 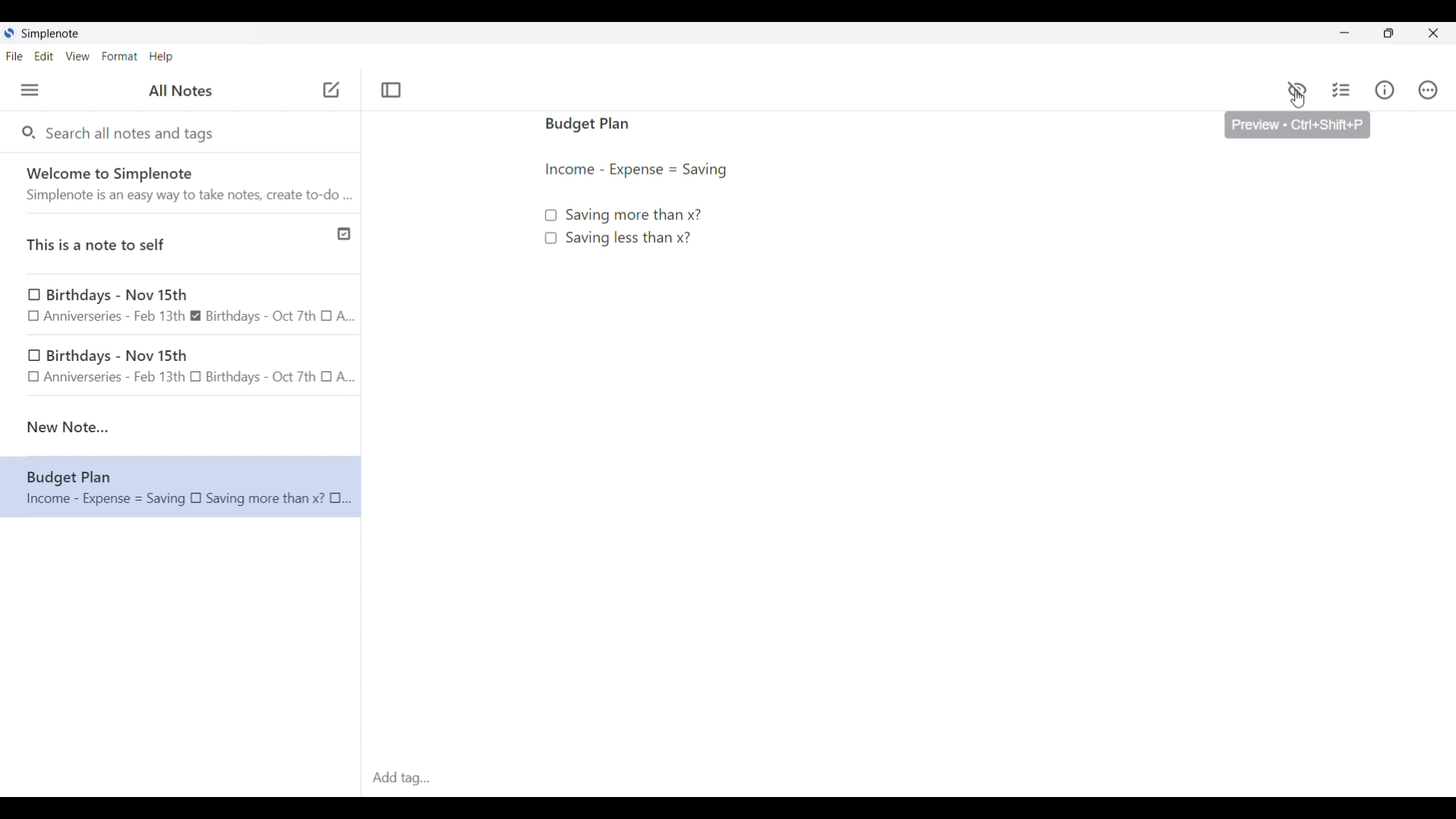 I want to click on Note text changed, so click(x=180, y=486).